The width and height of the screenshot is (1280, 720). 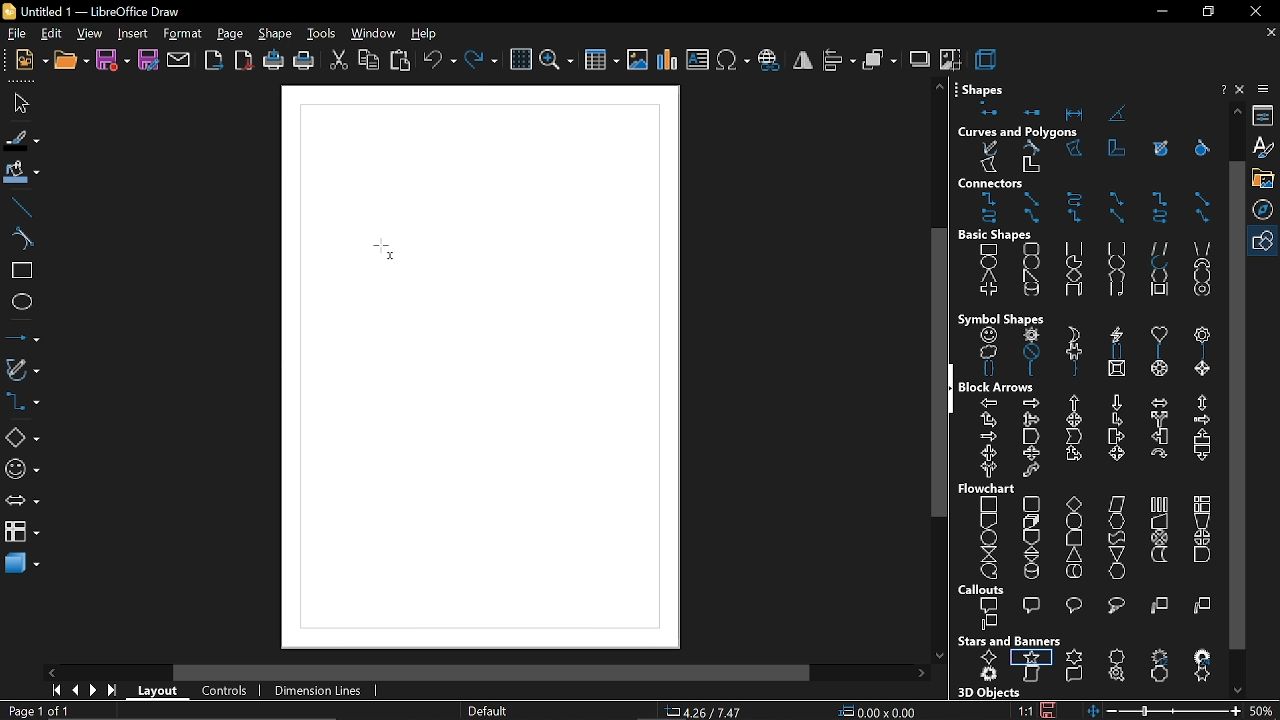 I want to click on current page, so click(x=35, y=711).